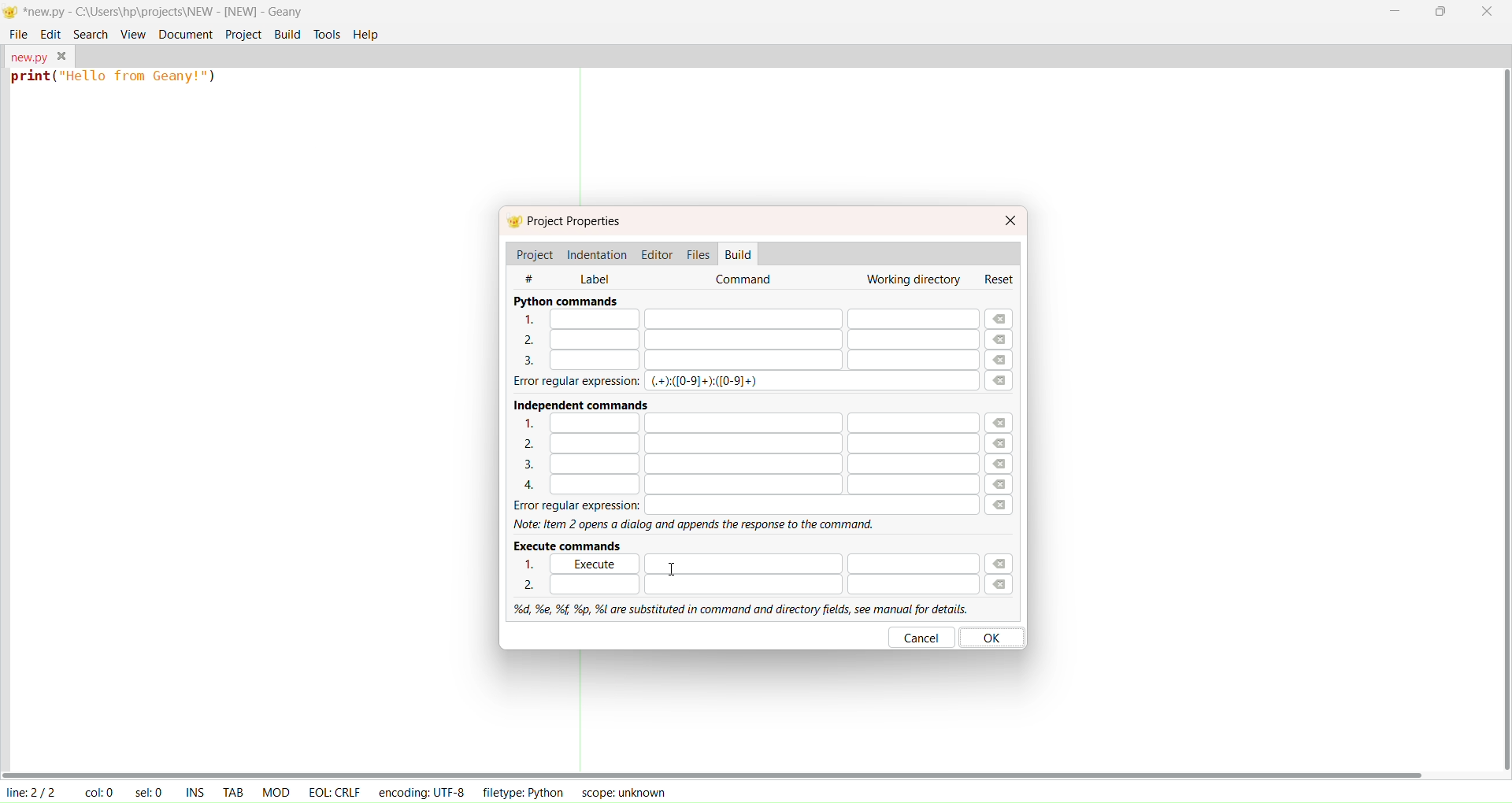 Image resolution: width=1512 pixels, height=803 pixels. Describe the element at coordinates (698, 525) in the screenshot. I see `instruction` at that location.